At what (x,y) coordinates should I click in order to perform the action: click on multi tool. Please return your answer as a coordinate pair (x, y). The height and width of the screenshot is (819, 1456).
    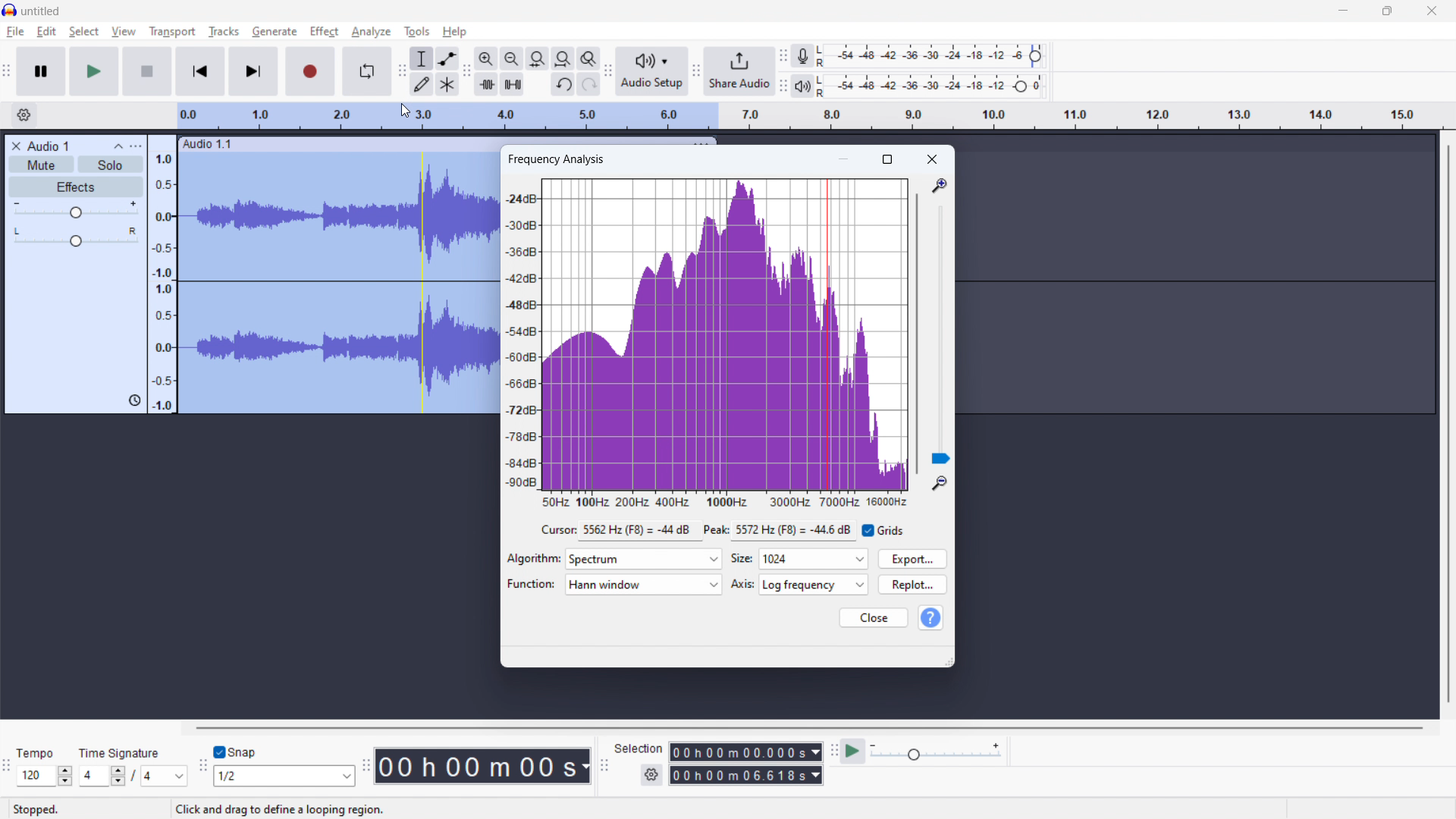
    Looking at the image, I should click on (448, 83).